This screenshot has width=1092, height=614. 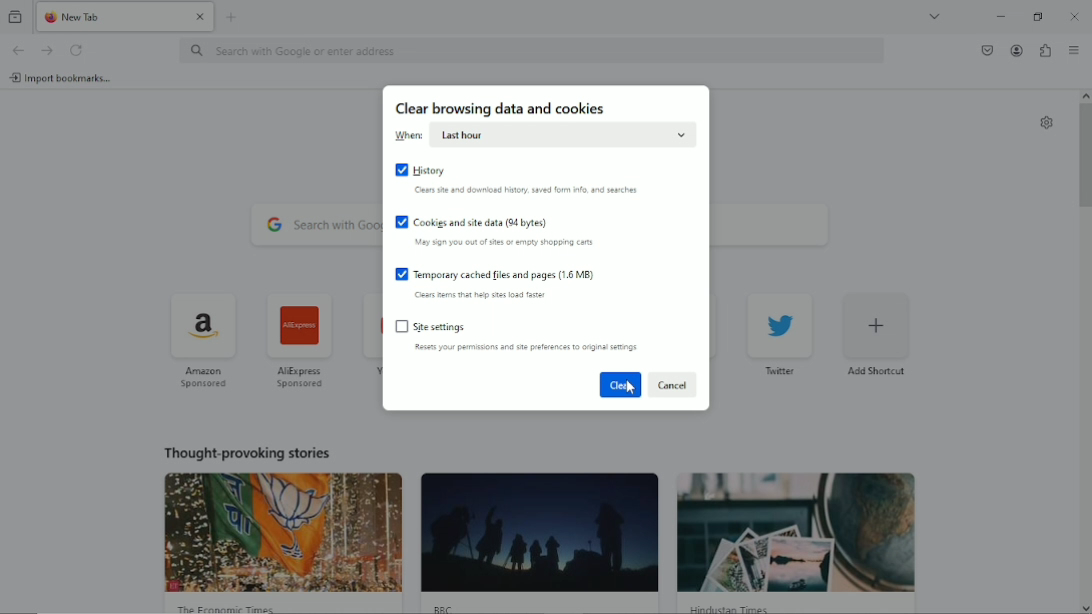 I want to click on Cookies and site data (94 bytes), so click(x=473, y=221).